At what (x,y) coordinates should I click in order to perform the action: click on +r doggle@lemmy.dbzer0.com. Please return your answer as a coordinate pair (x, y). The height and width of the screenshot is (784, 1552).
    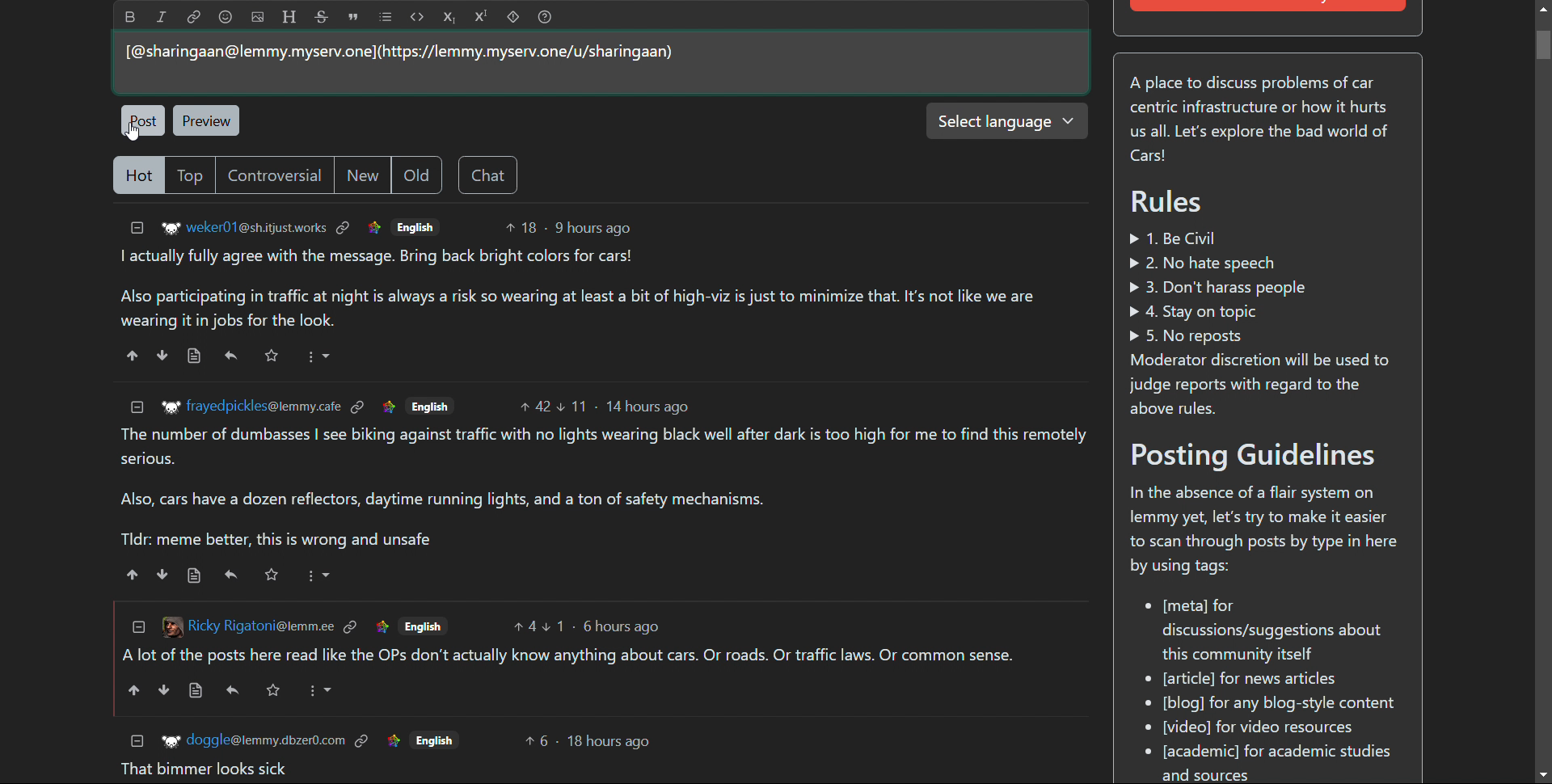
    Looking at the image, I should click on (252, 739).